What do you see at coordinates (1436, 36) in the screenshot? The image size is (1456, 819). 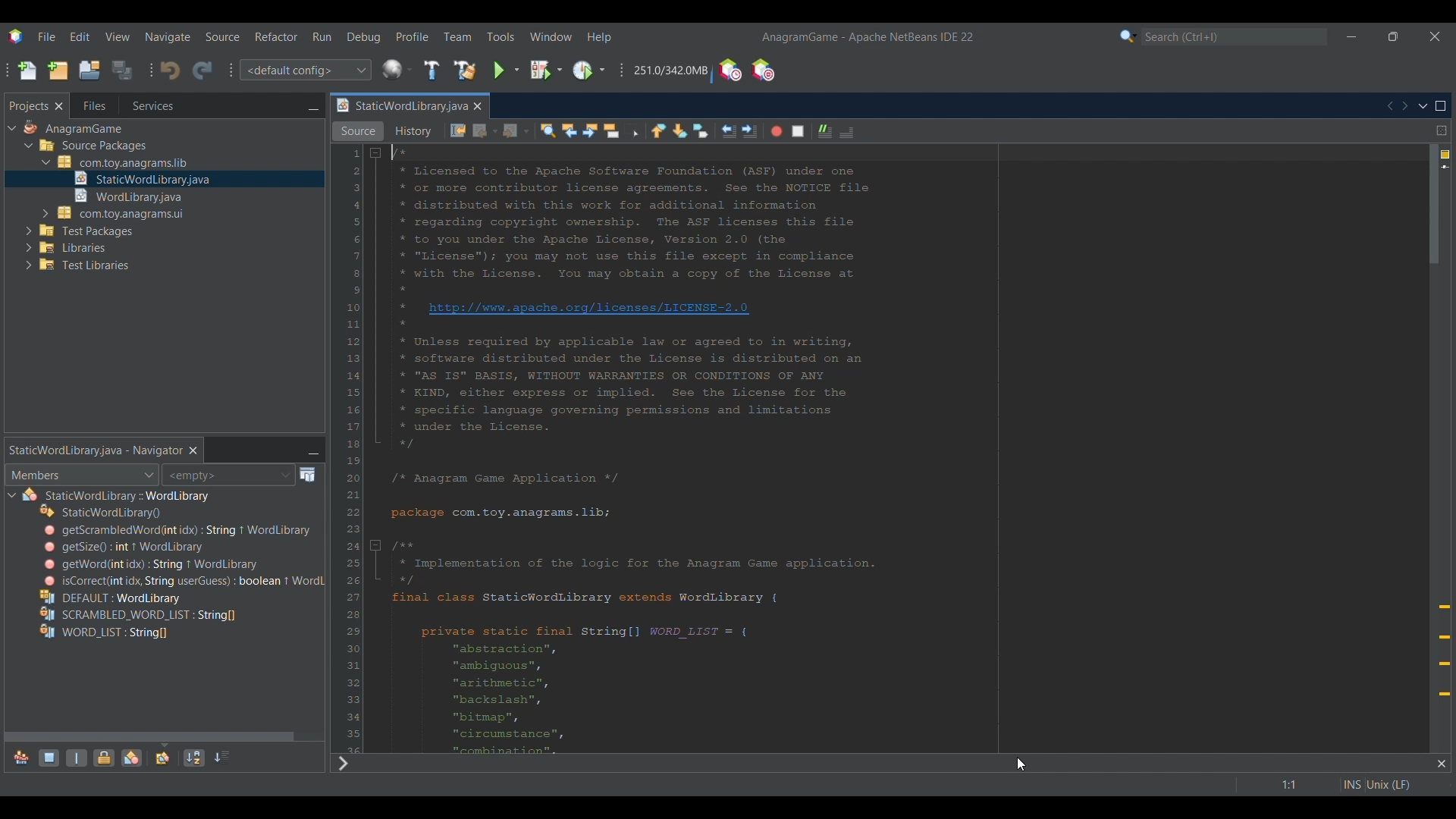 I see `Close interface` at bounding box center [1436, 36].